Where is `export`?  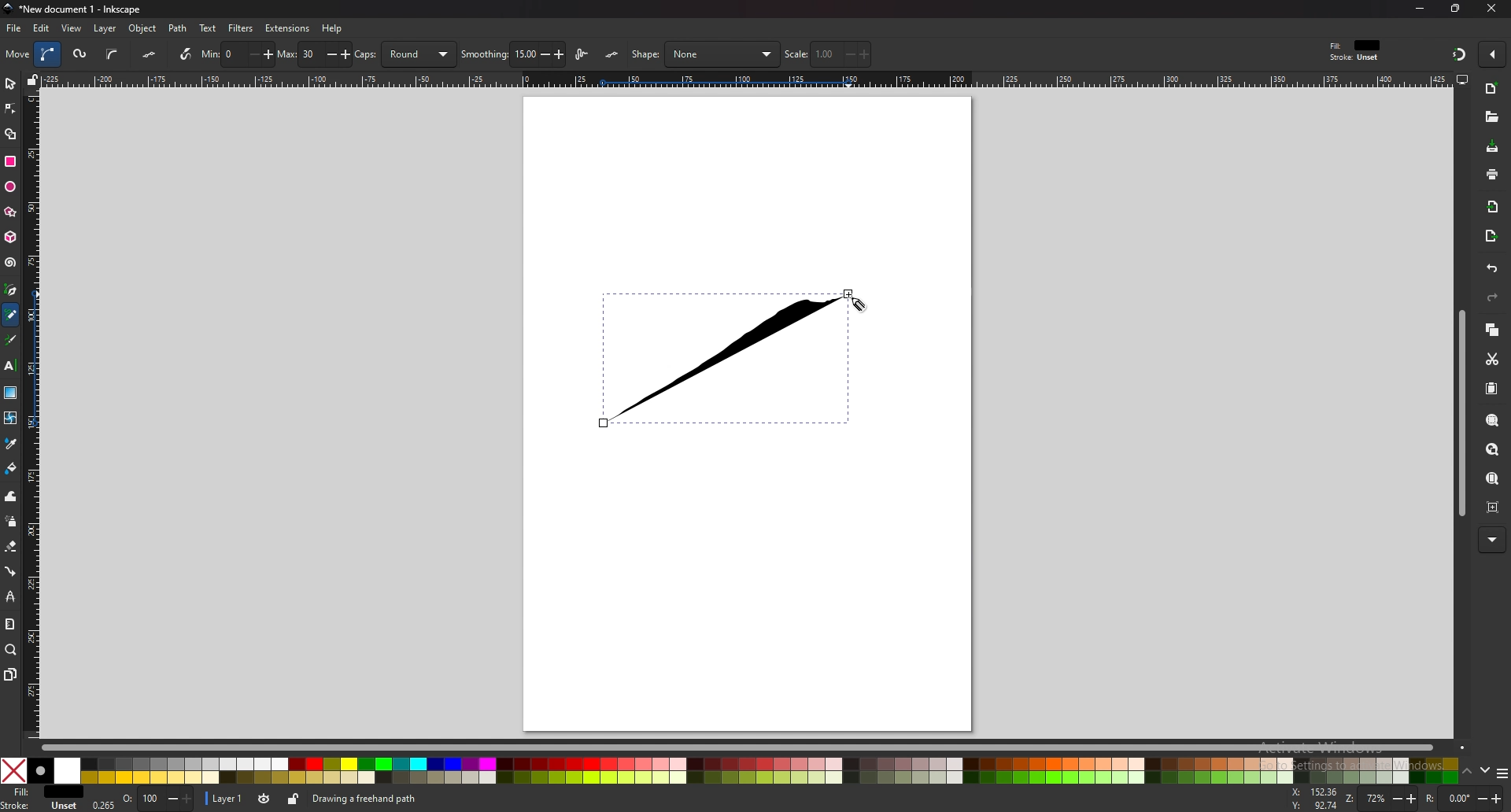
export is located at coordinates (1491, 238).